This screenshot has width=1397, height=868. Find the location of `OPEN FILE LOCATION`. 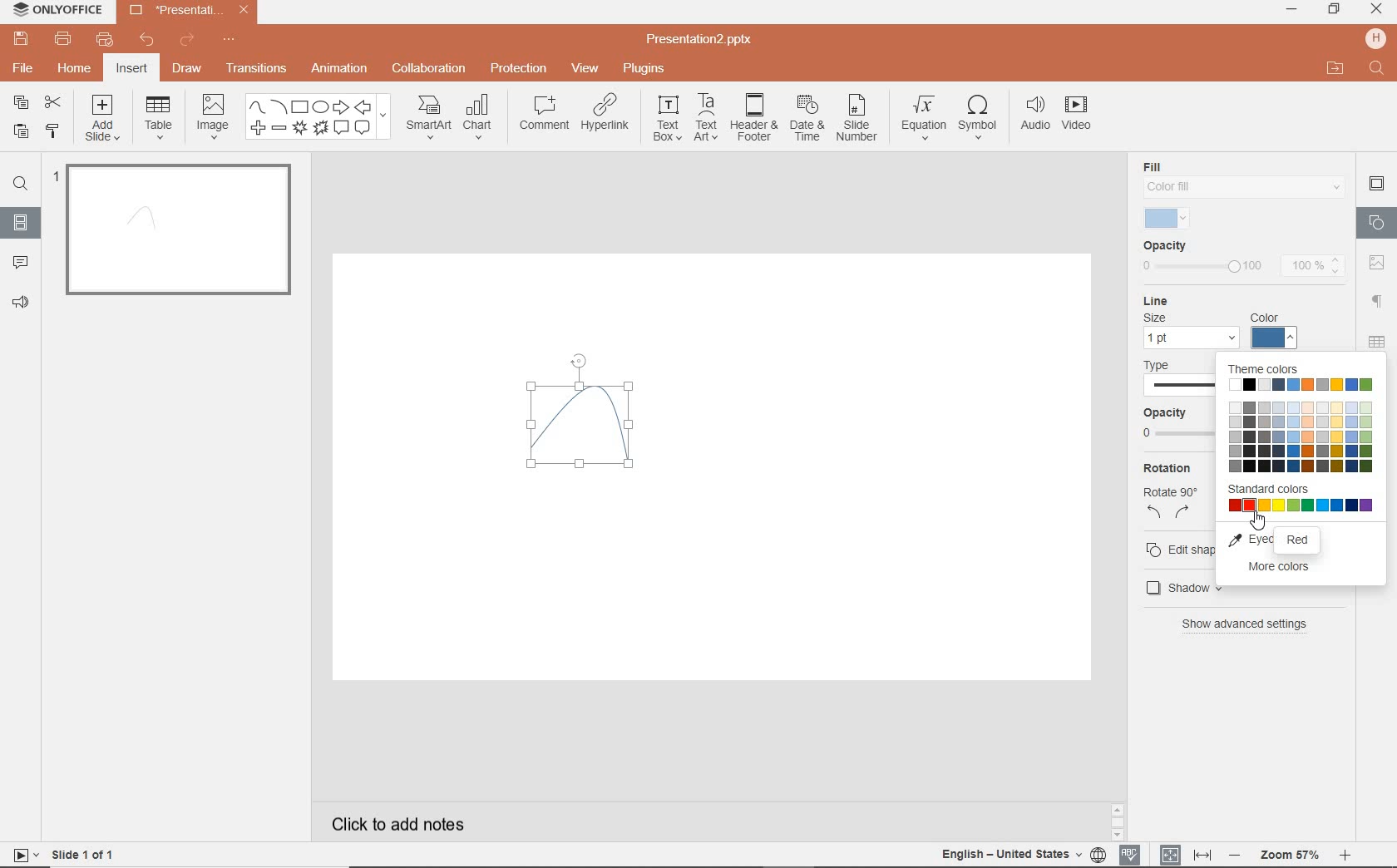

OPEN FILE LOCATION is located at coordinates (1335, 69).